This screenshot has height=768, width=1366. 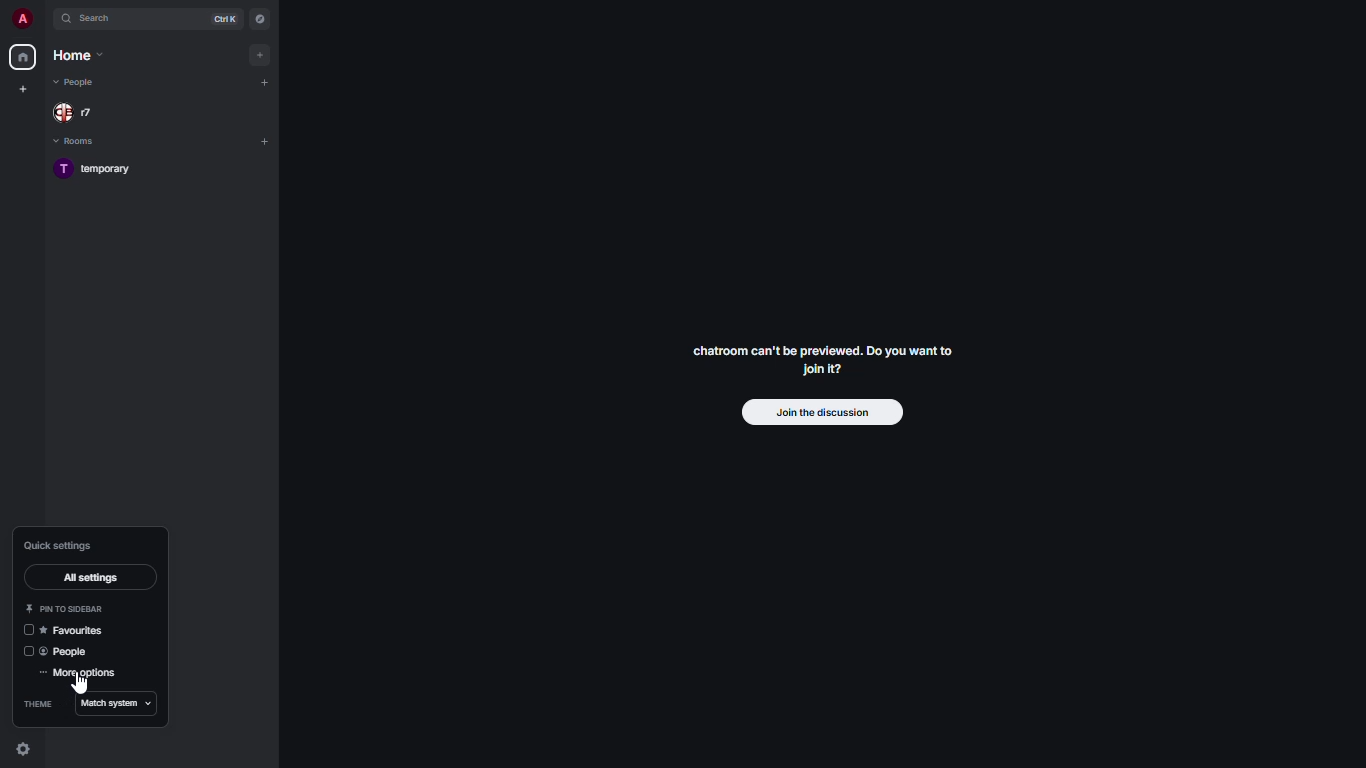 I want to click on add, so click(x=264, y=140).